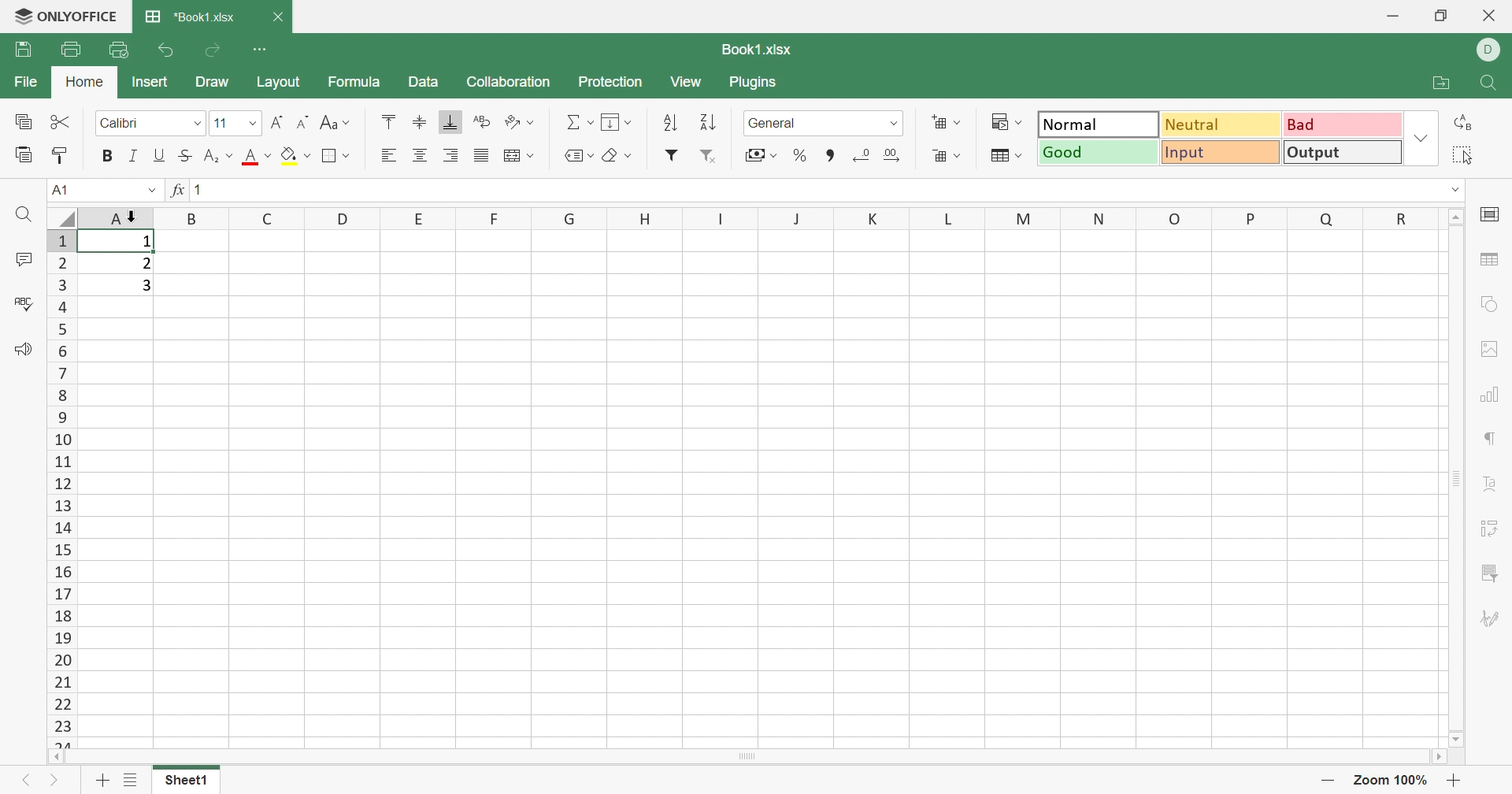 The width and height of the screenshot is (1512, 794). Describe the element at coordinates (1489, 619) in the screenshot. I see `Signature settings` at that location.